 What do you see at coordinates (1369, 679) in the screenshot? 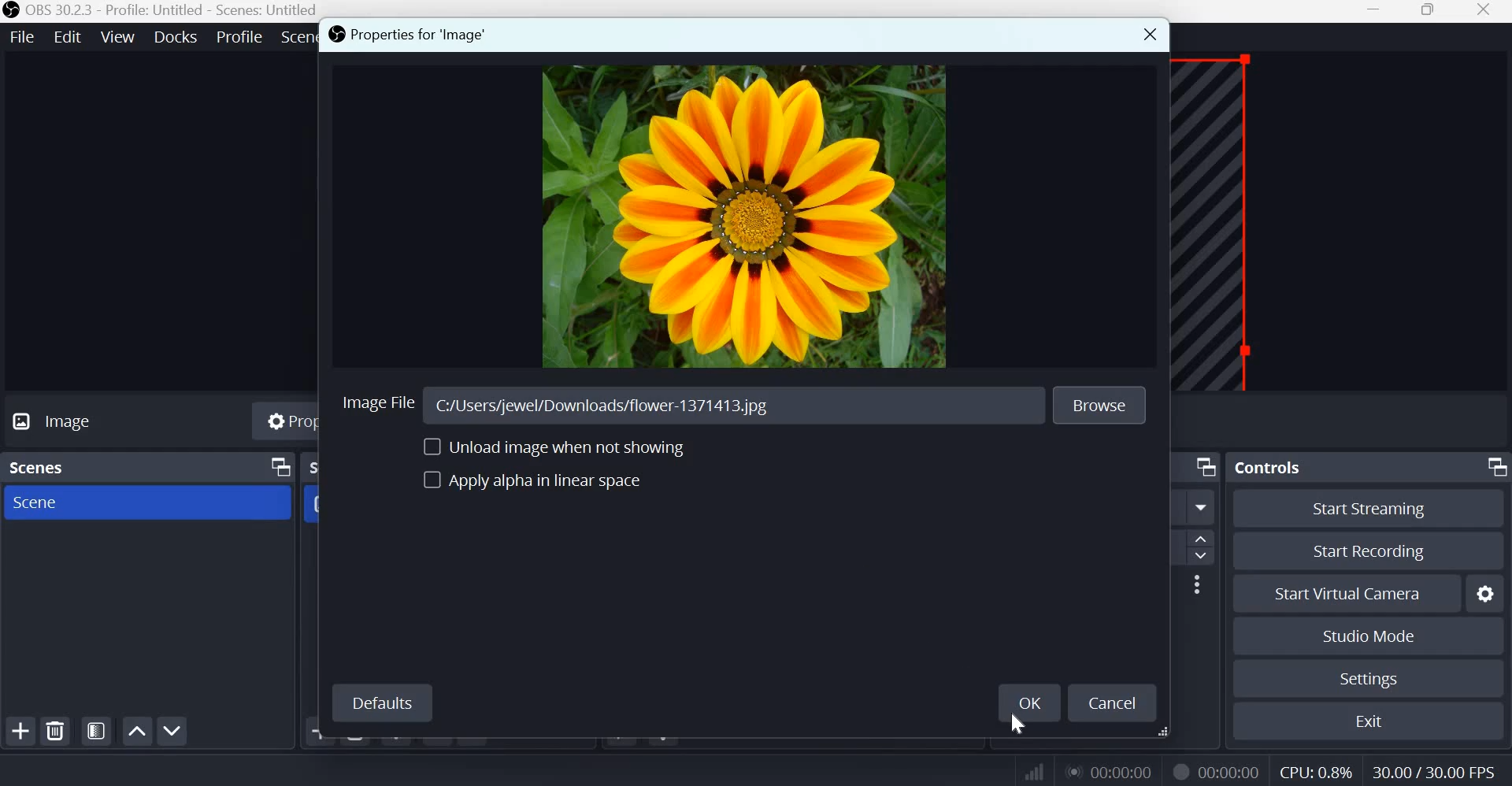
I see `Settings` at bounding box center [1369, 679].